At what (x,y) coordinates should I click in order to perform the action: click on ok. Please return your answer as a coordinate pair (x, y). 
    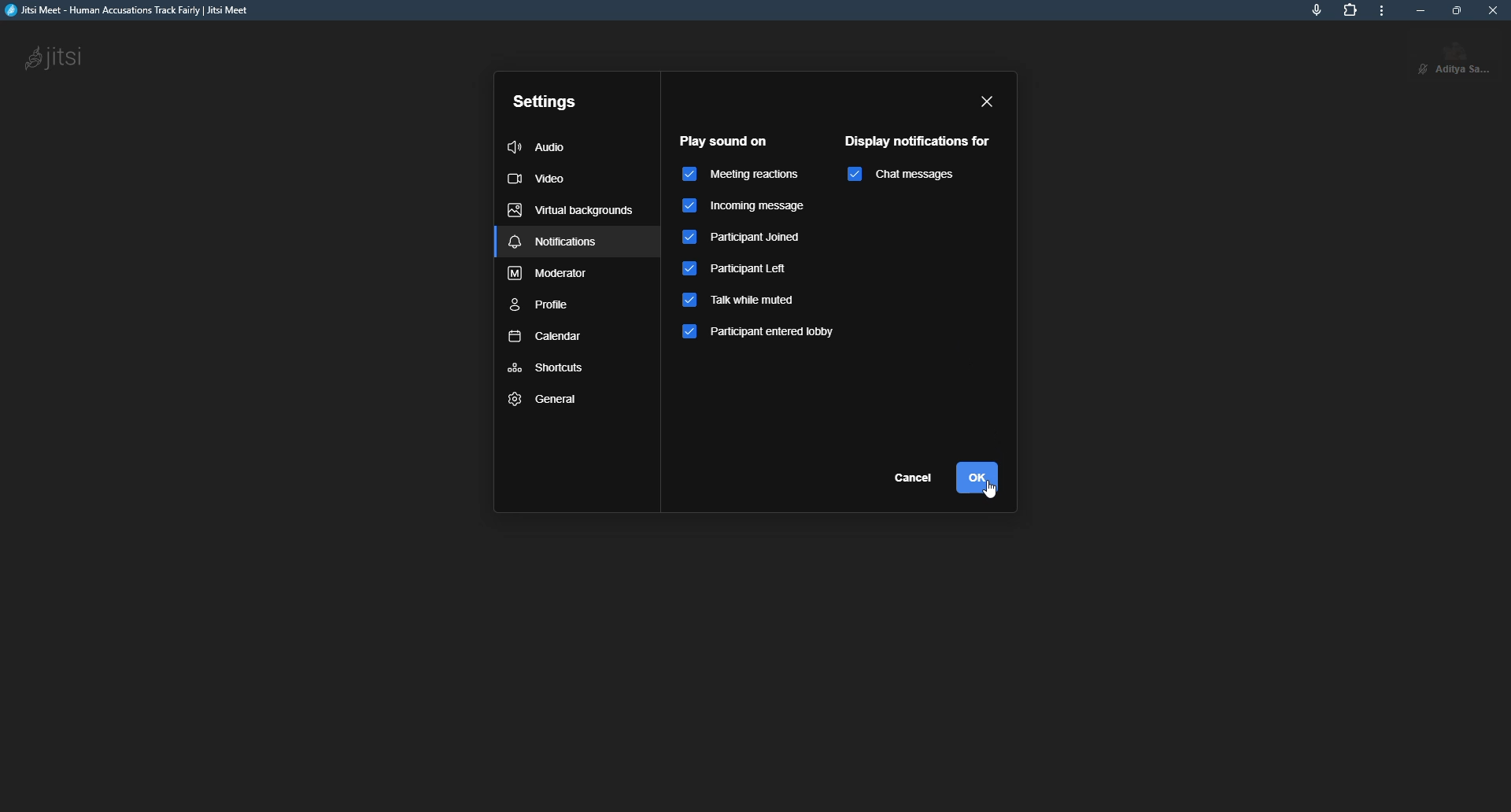
    Looking at the image, I should click on (976, 477).